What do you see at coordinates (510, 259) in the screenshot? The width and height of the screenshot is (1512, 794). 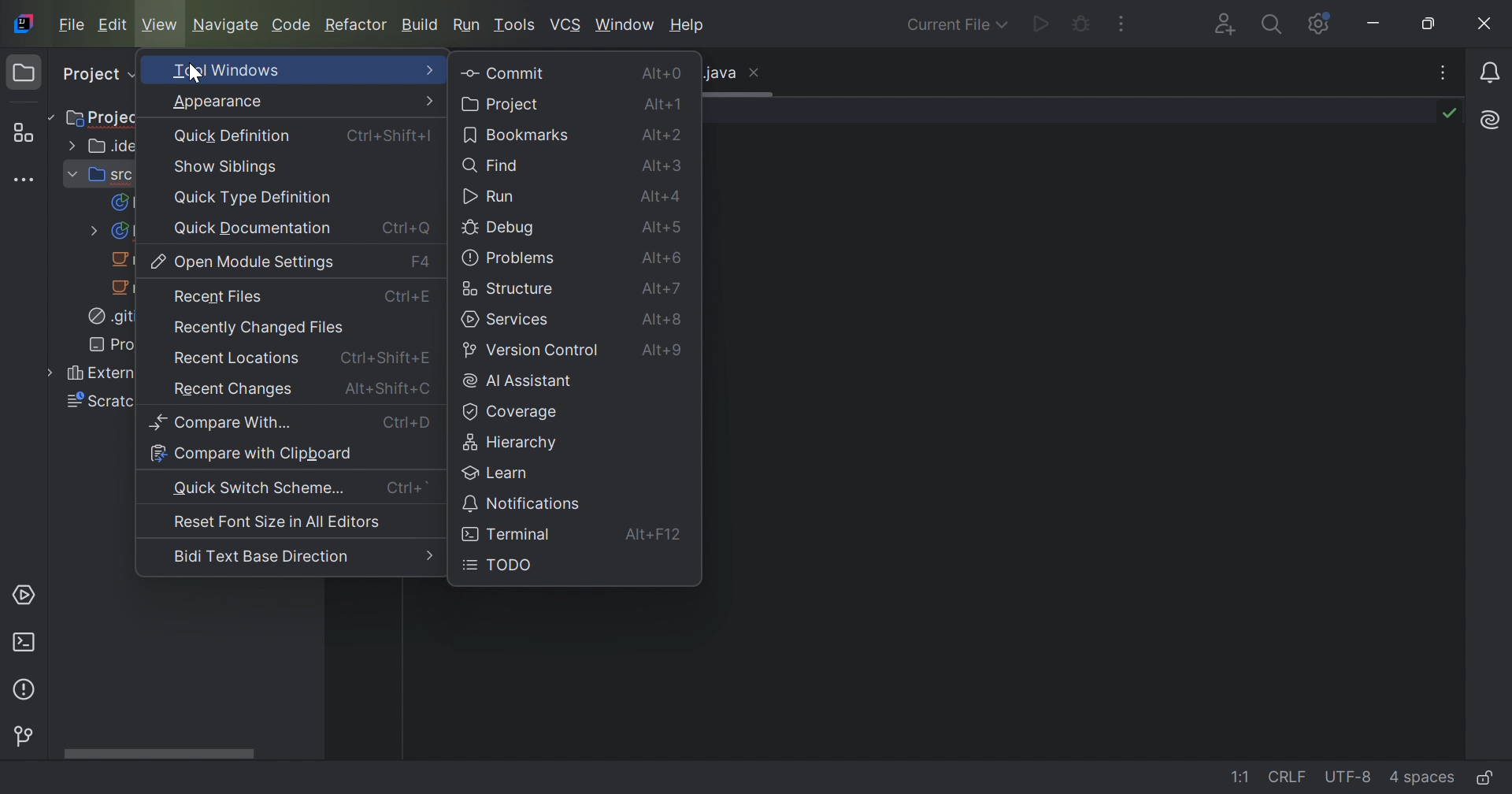 I see `Problems` at bounding box center [510, 259].